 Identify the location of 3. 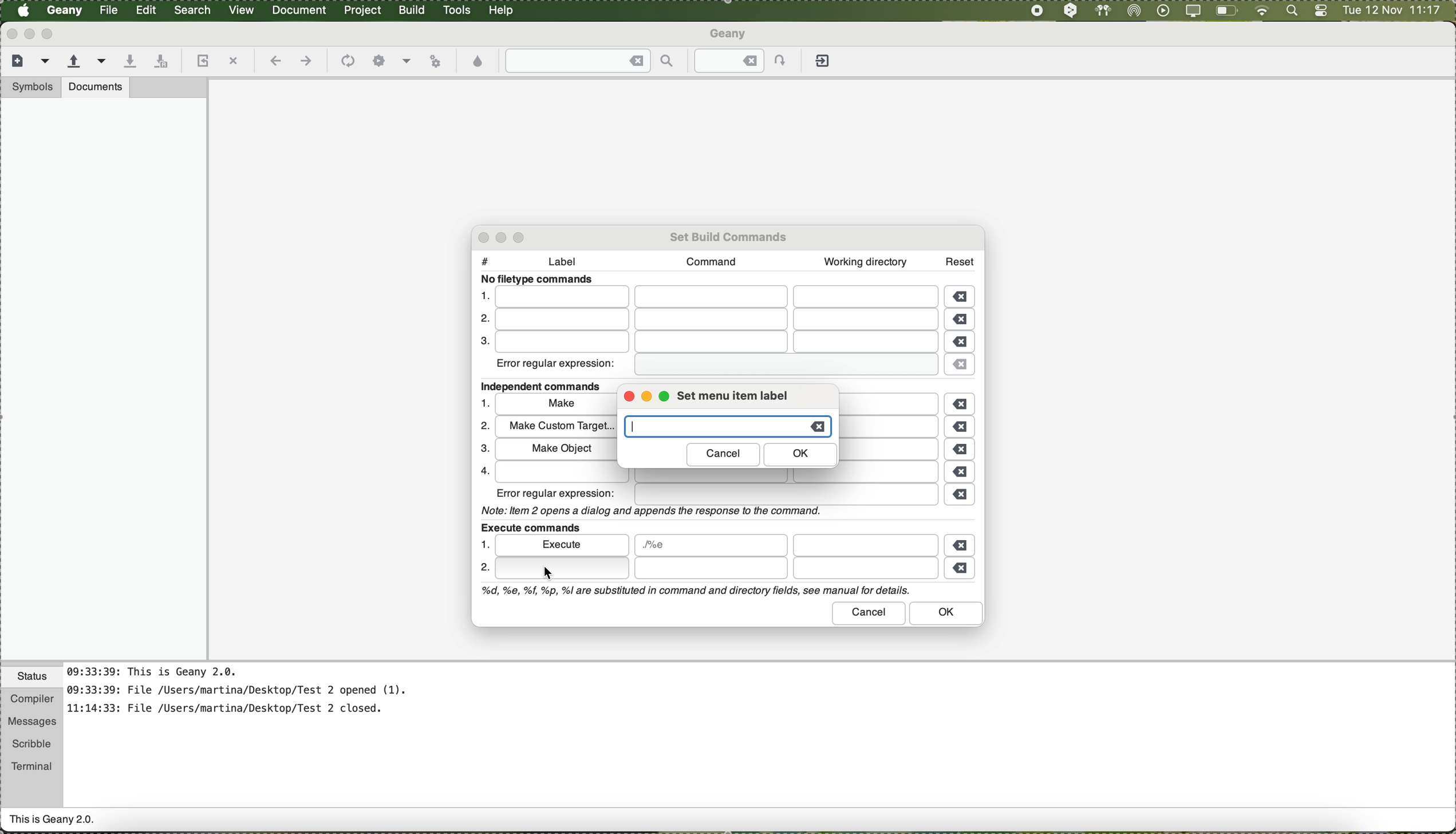
(482, 449).